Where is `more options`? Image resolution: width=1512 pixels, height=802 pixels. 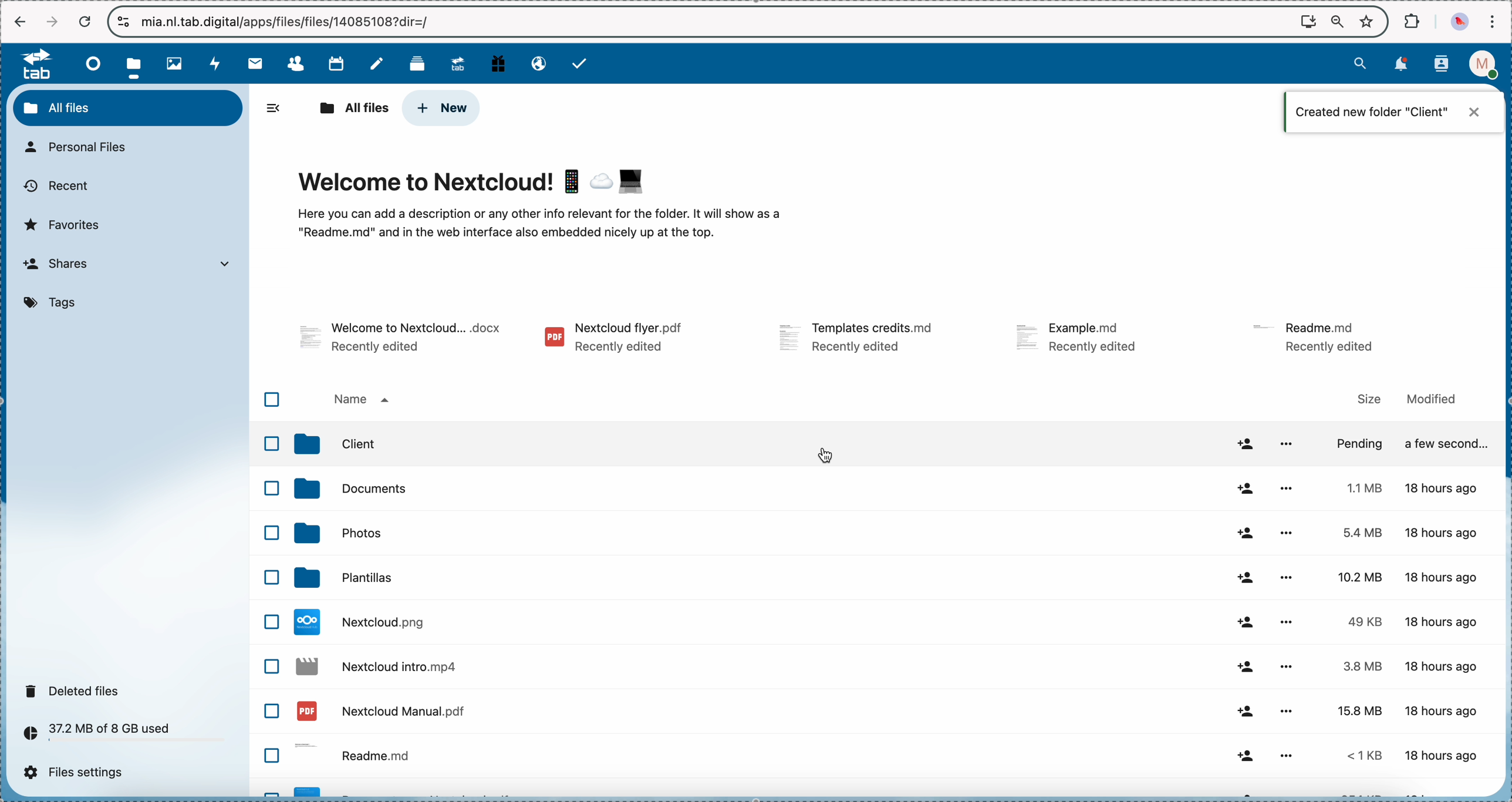
more options is located at coordinates (1287, 489).